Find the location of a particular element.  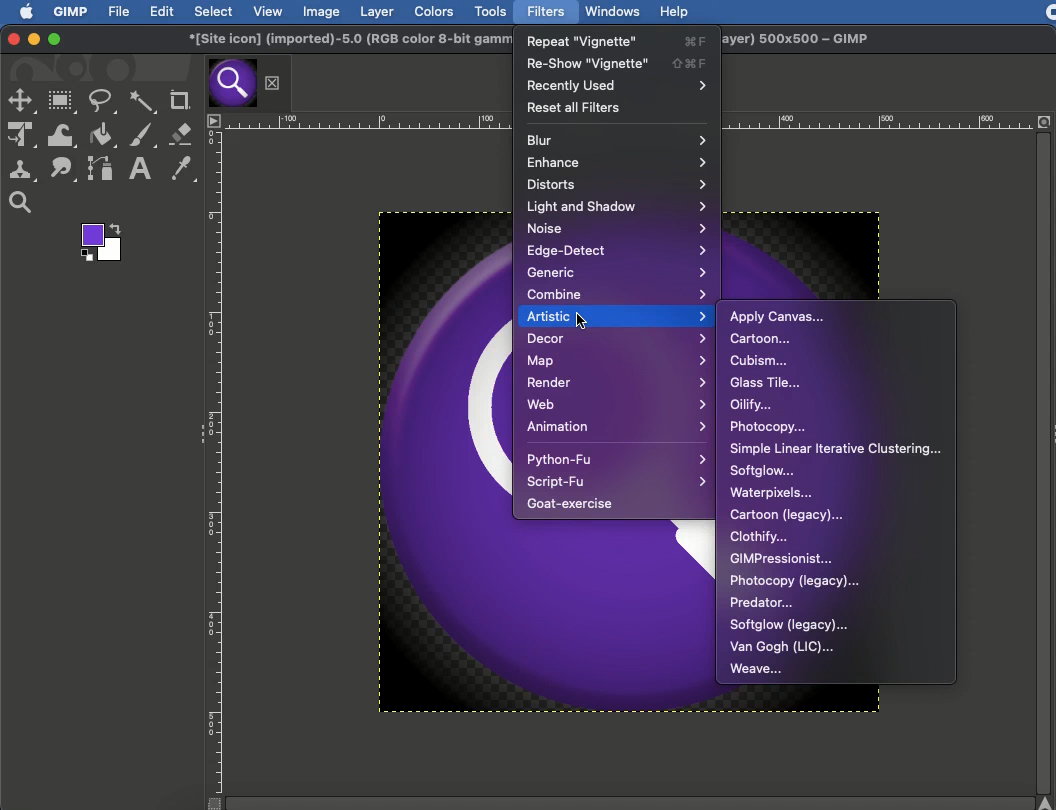

cursor is located at coordinates (582, 319).